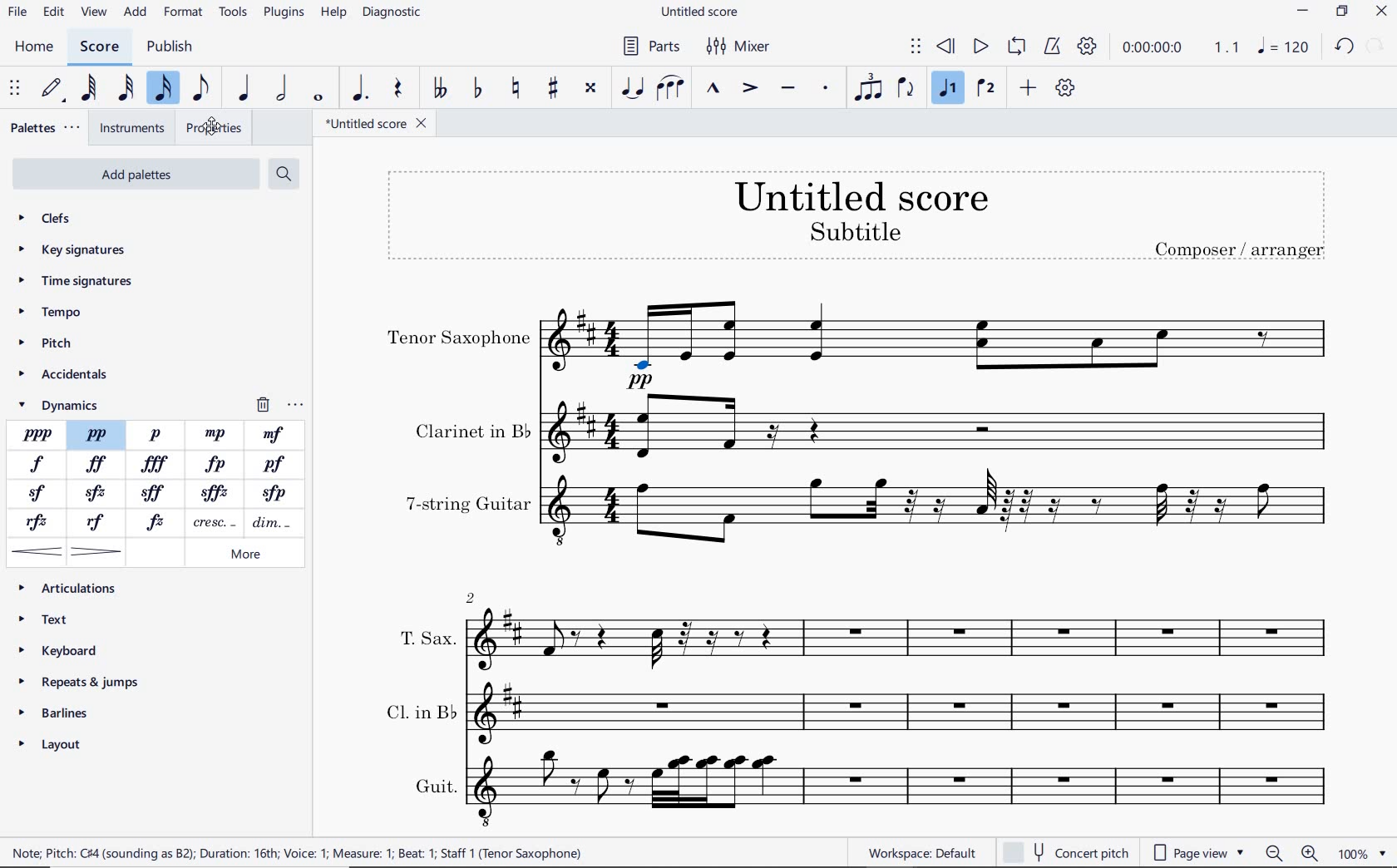 The width and height of the screenshot is (1397, 868). I want to click on WORKSPACE: DEFAULT, so click(921, 853).